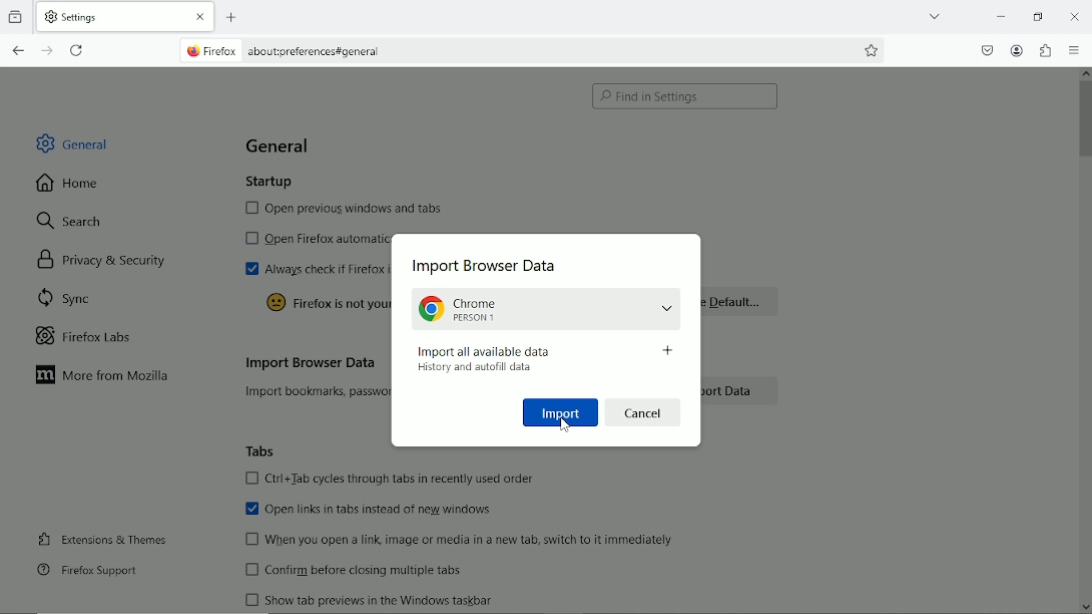  Describe the element at coordinates (685, 97) in the screenshot. I see `Find in settings` at that location.